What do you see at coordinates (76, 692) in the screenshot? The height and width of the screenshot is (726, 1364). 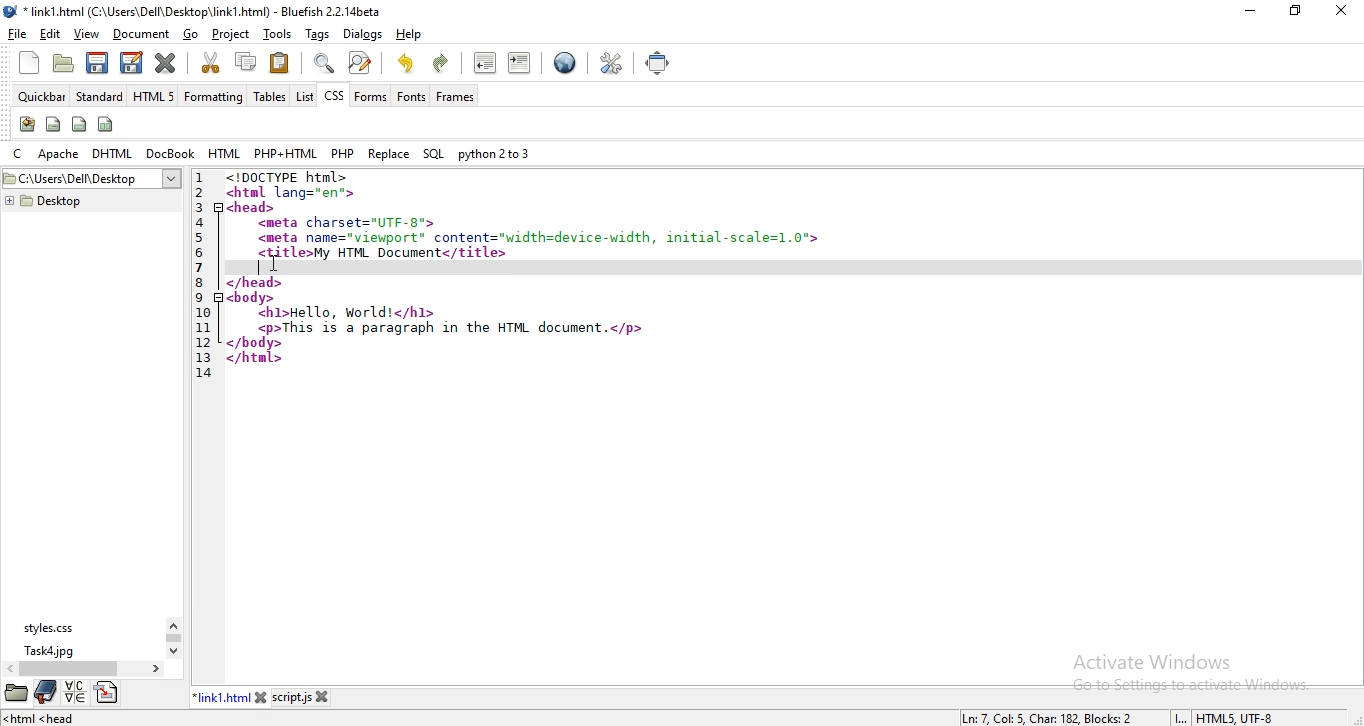 I see `language` at bounding box center [76, 692].